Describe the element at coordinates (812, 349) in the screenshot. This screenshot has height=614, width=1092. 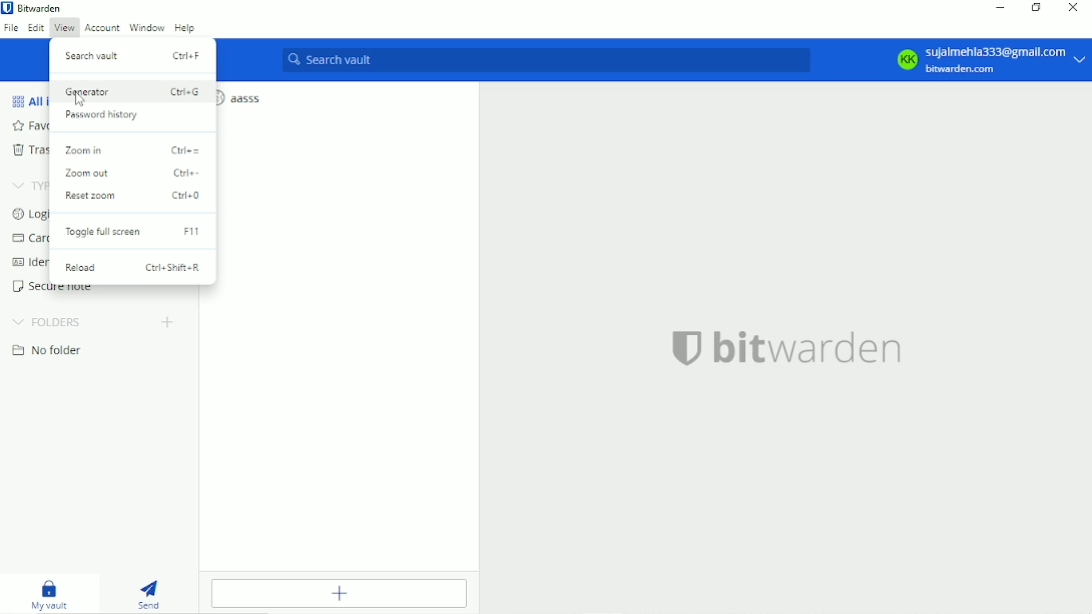
I see `bitwarden` at that location.